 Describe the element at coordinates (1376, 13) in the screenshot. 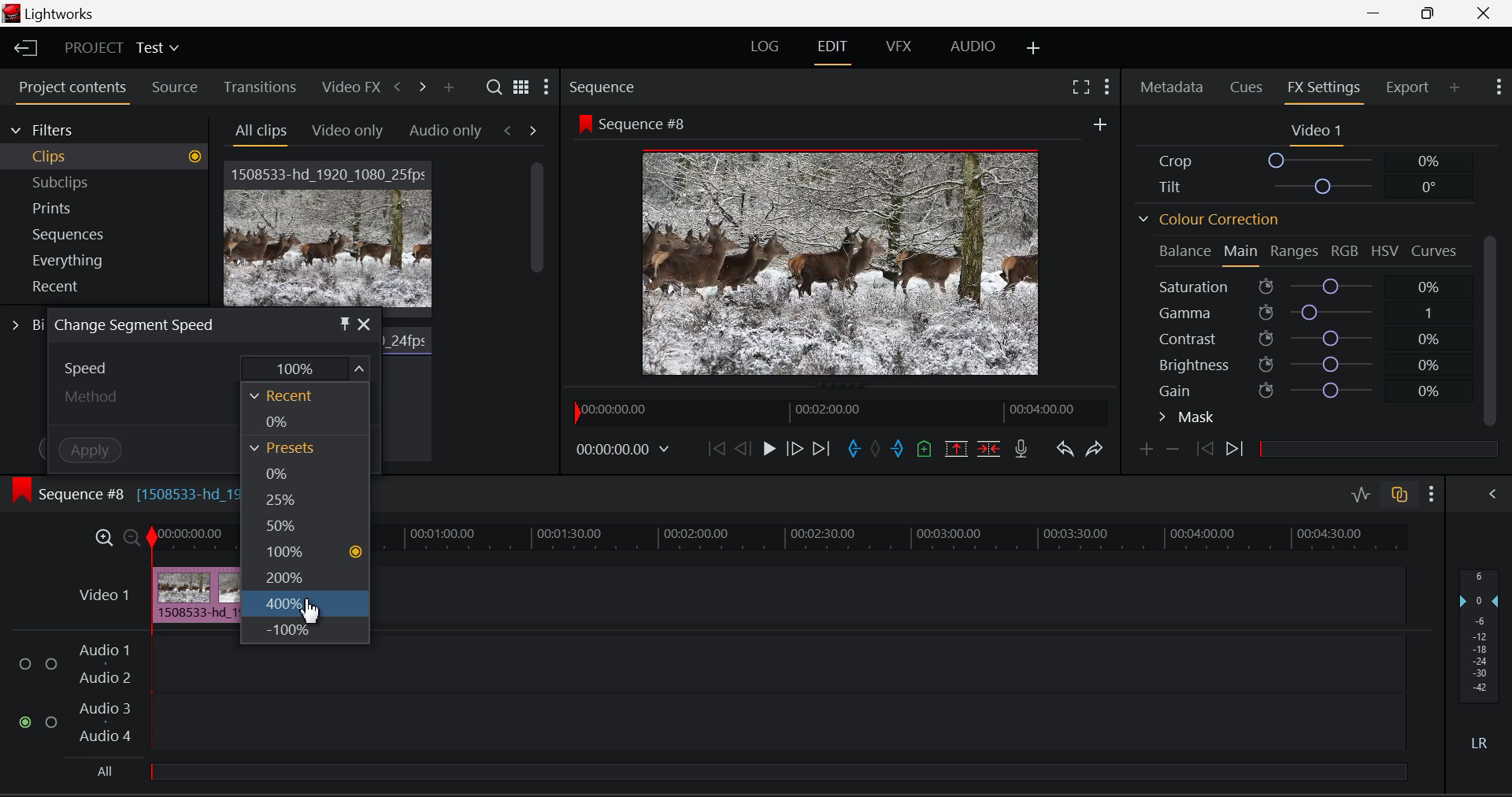

I see `Restore Down` at that location.